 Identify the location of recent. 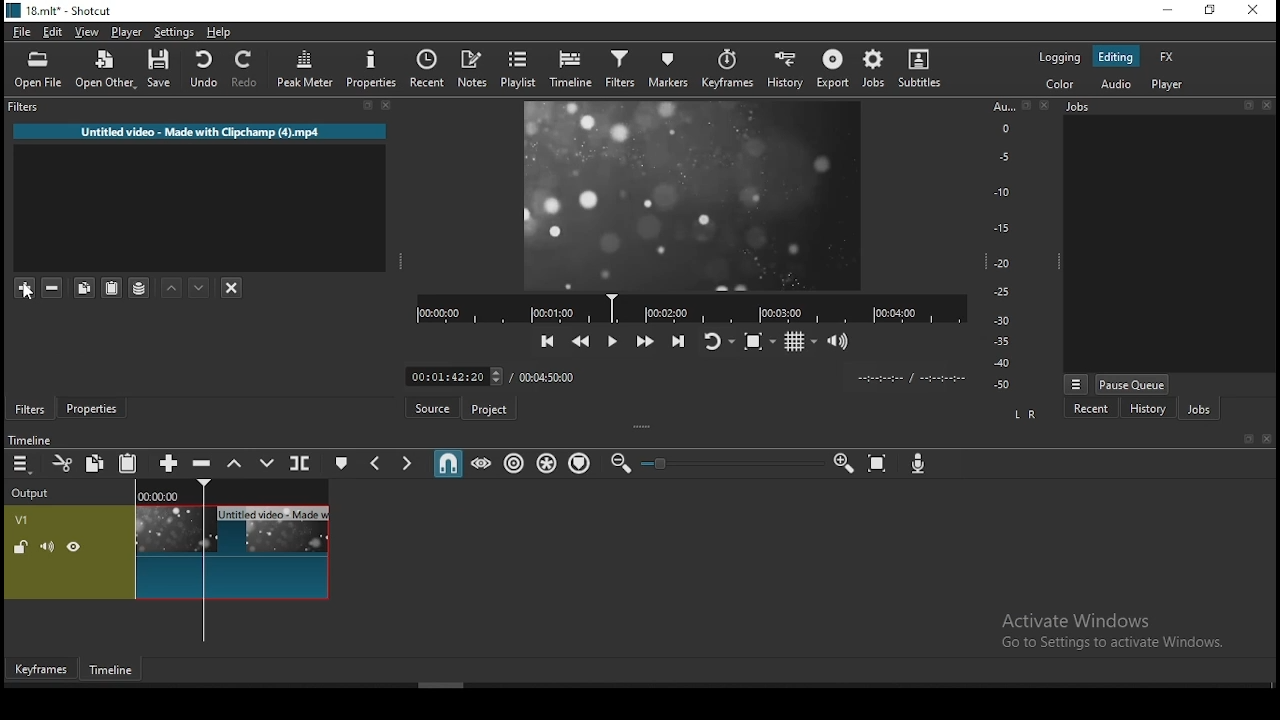
(427, 69).